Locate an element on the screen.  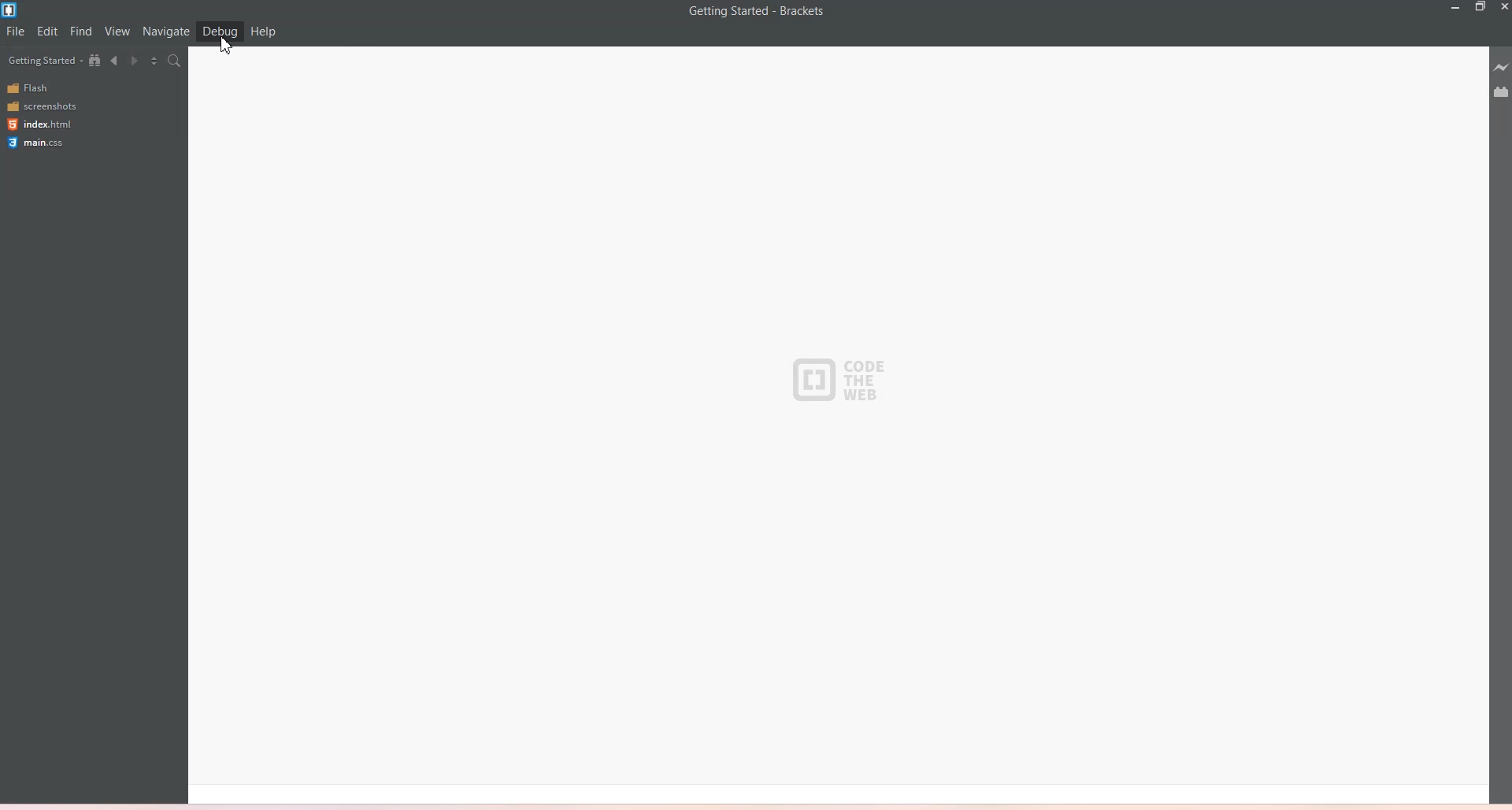
Split the editor vertically and Horizontally is located at coordinates (156, 61).